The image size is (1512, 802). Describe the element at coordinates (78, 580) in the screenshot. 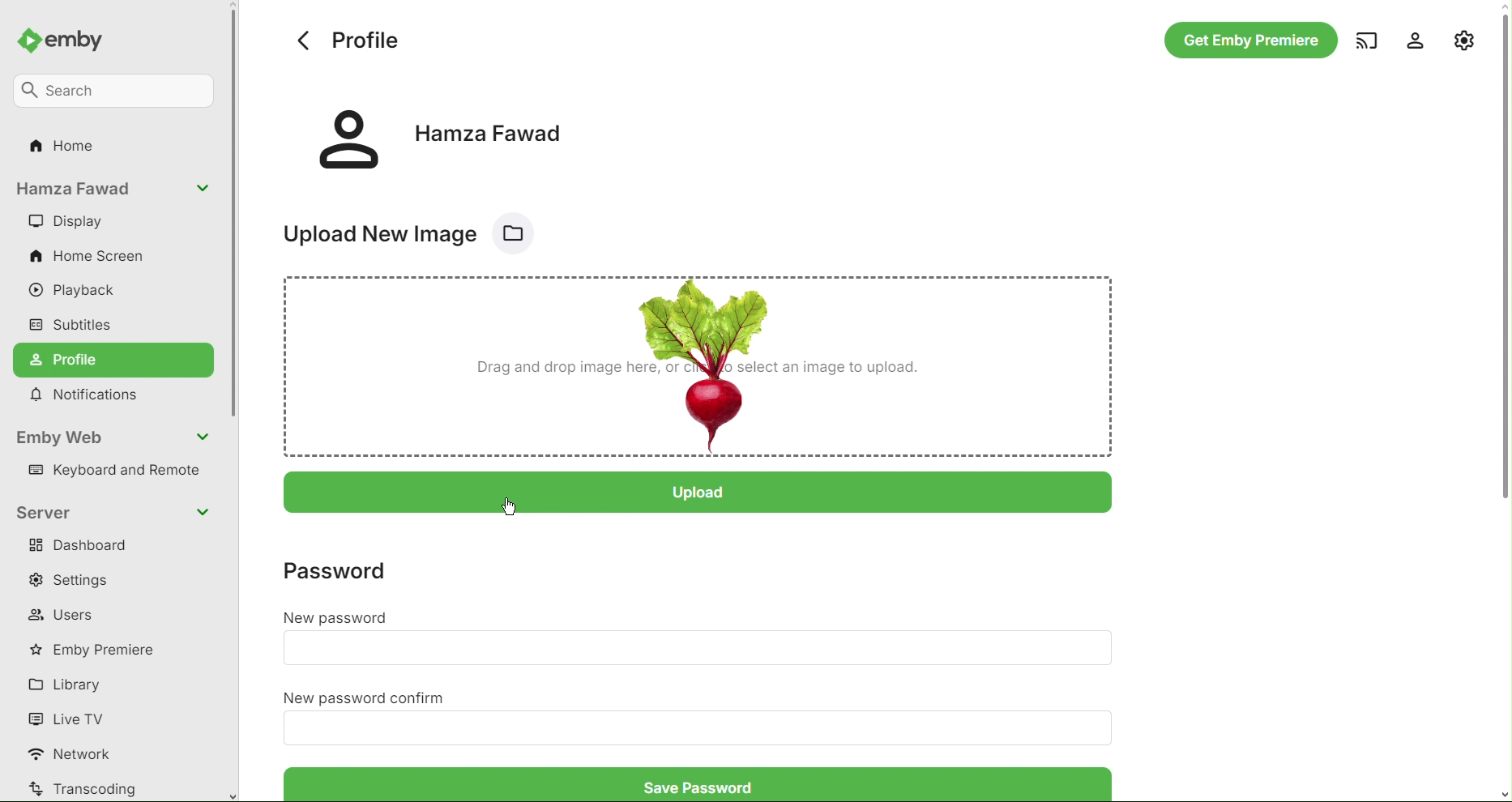

I see `Settings` at that location.